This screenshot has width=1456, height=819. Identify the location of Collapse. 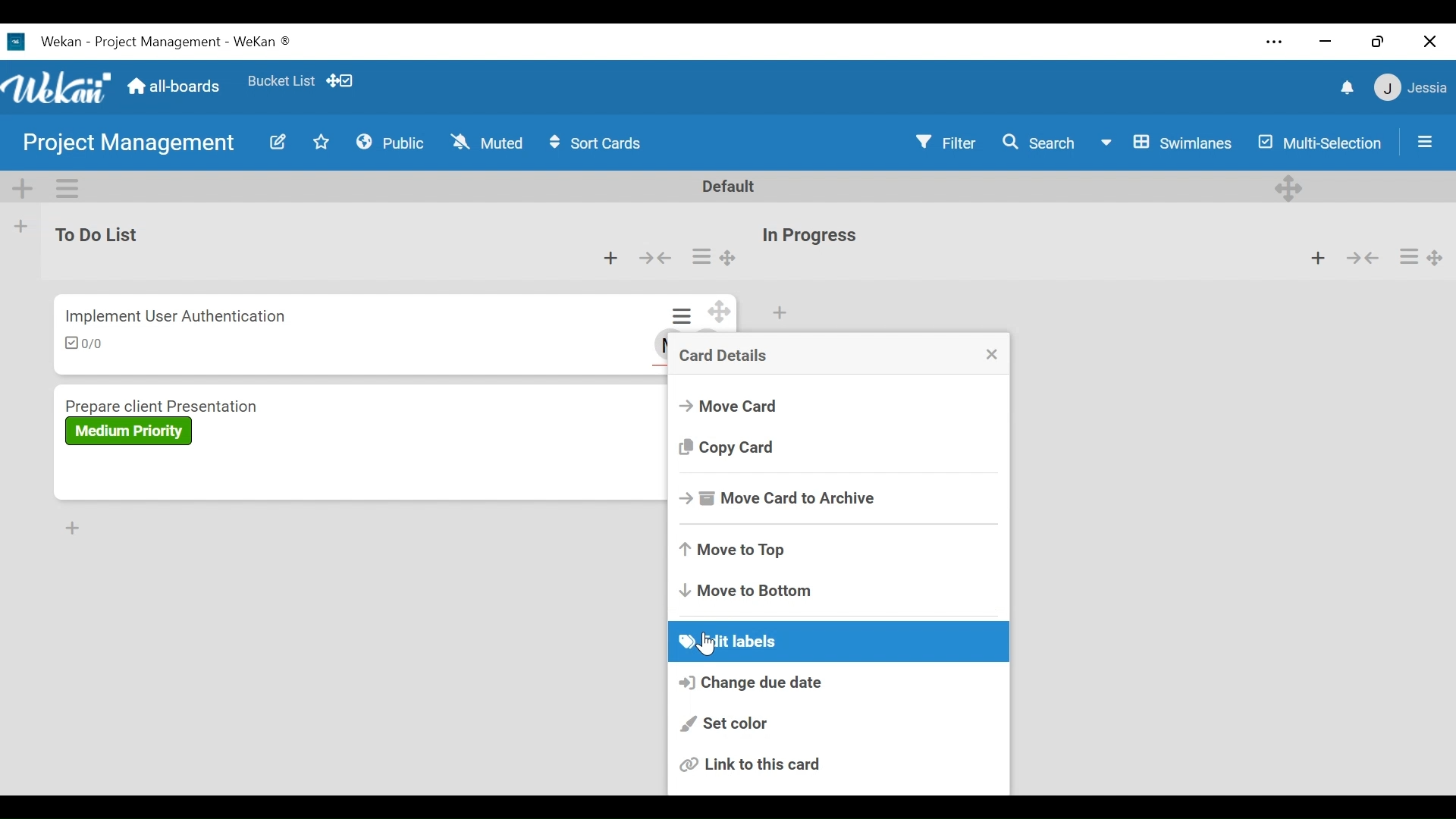
(654, 259).